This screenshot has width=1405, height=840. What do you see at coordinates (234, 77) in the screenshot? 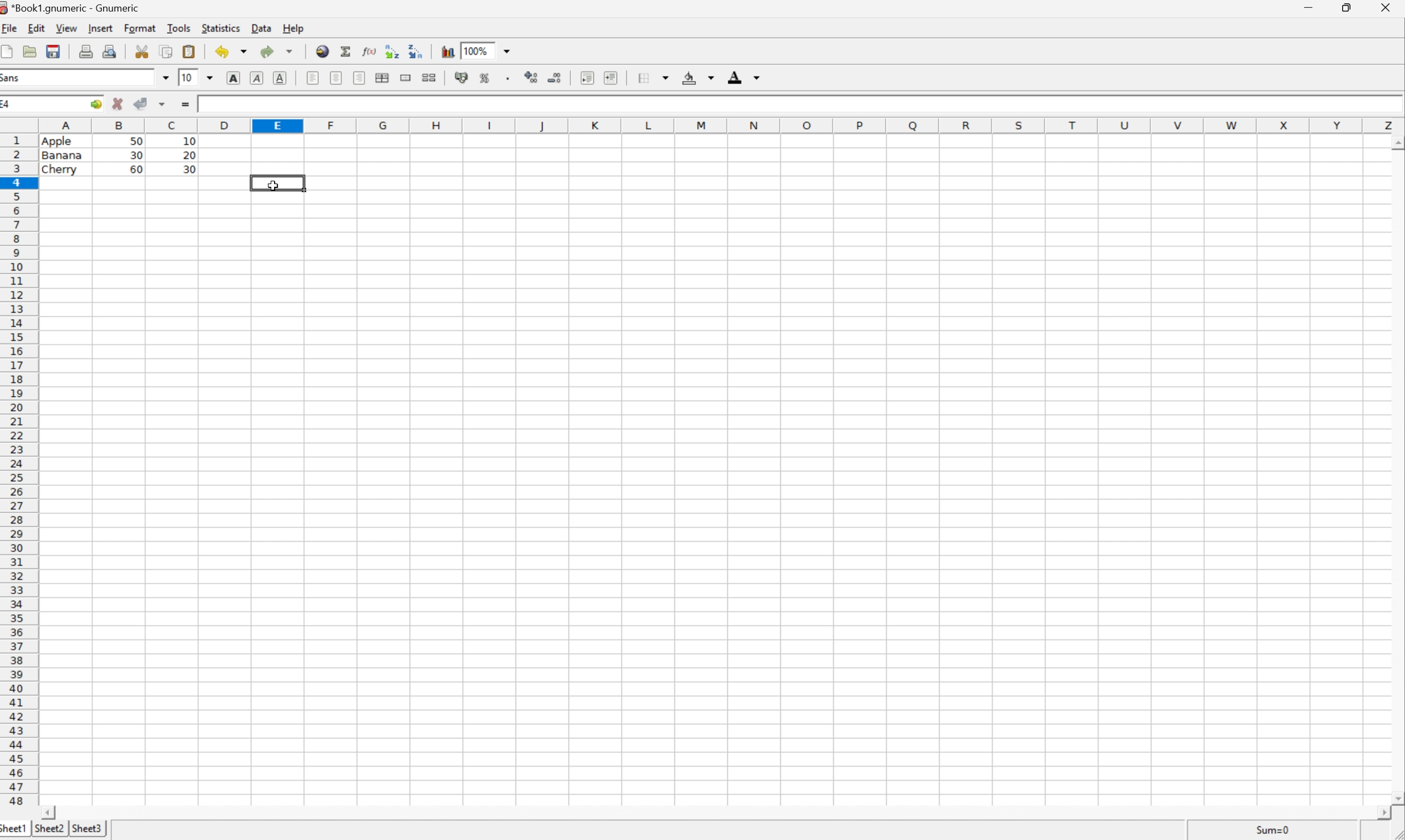
I see `bold` at bounding box center [234, 77].